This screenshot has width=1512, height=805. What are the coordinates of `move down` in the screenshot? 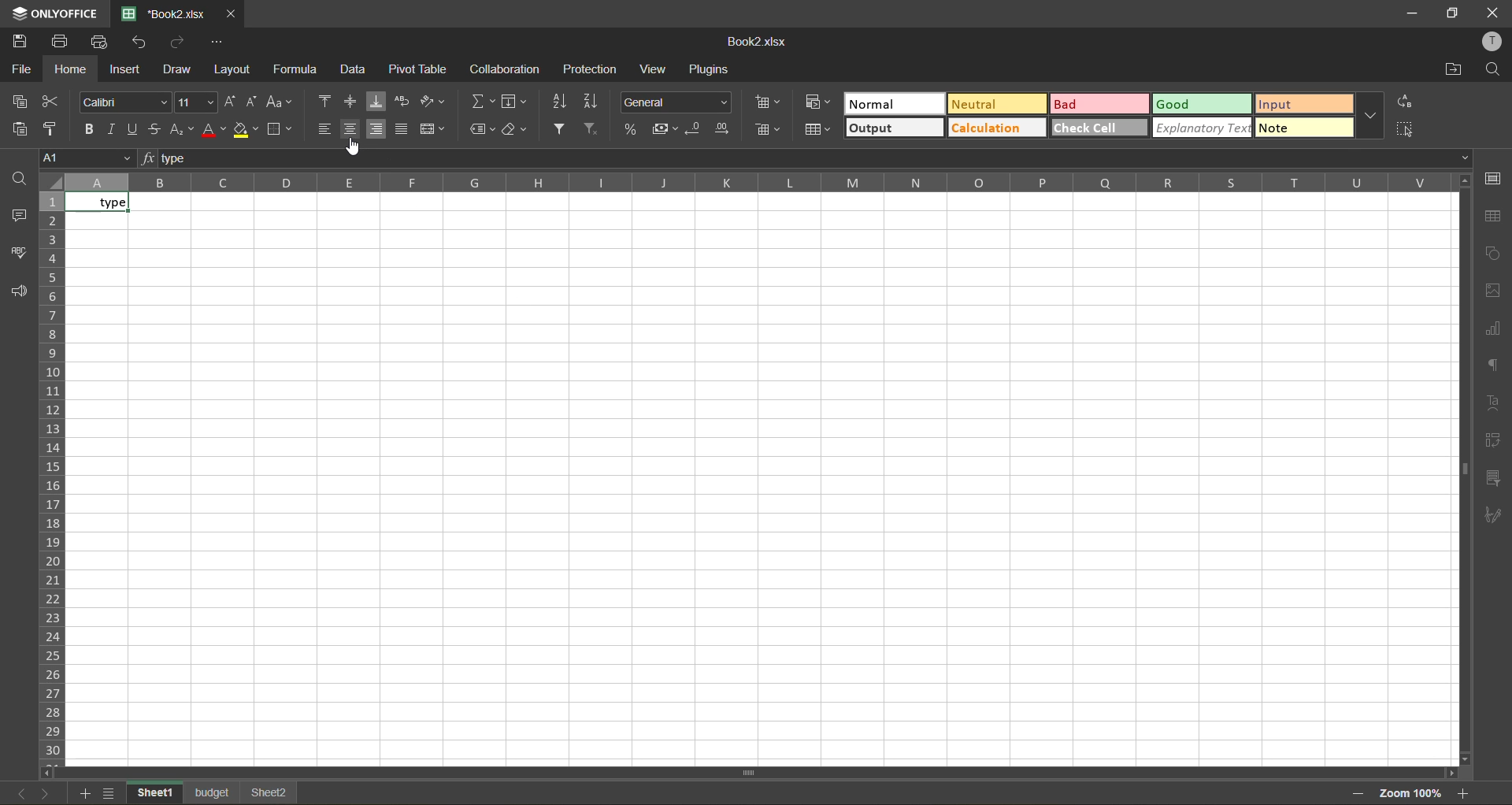 It's located at (1459, 755).